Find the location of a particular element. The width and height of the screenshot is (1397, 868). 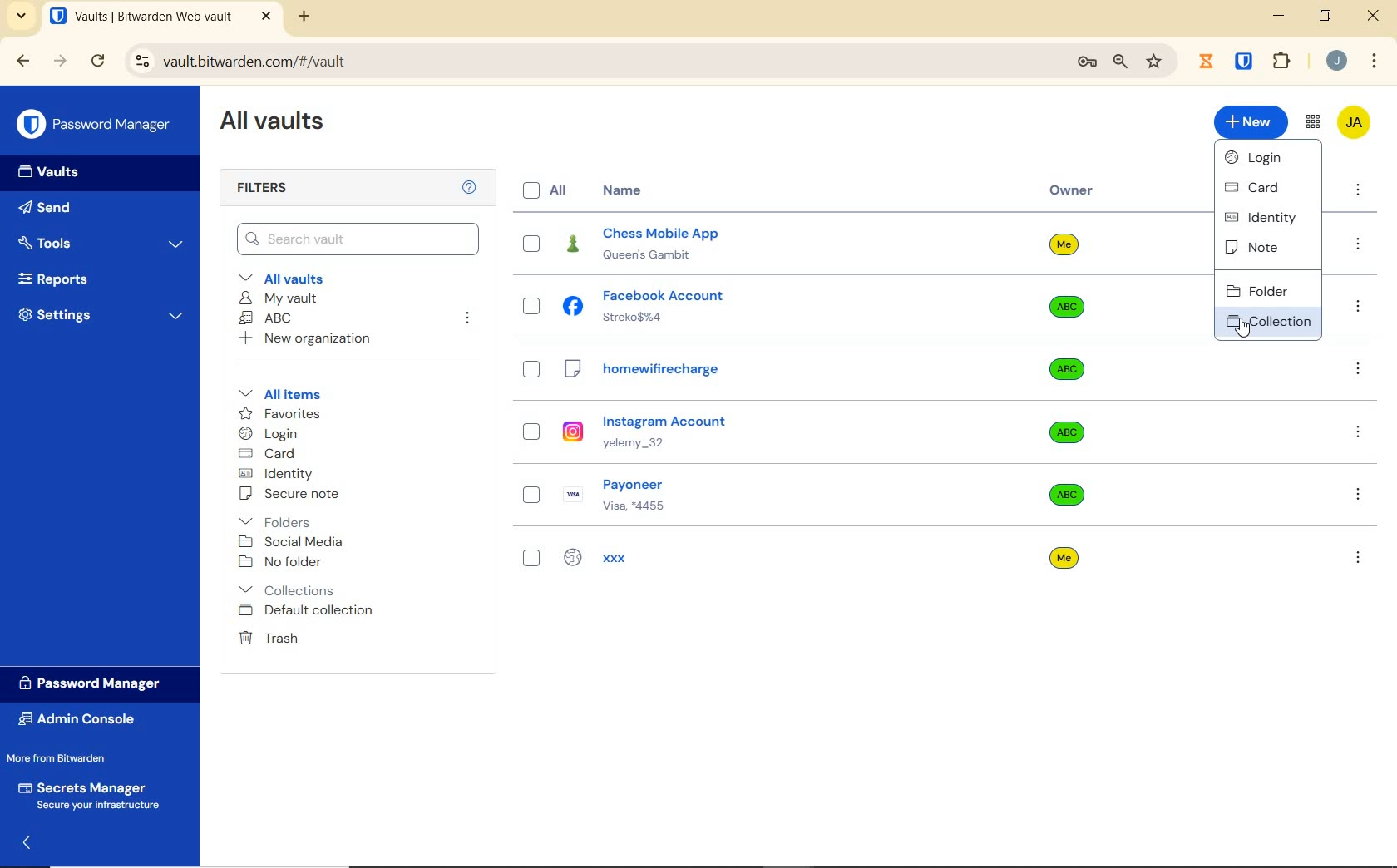

jibble extension is located at coordinates (1206, 60).